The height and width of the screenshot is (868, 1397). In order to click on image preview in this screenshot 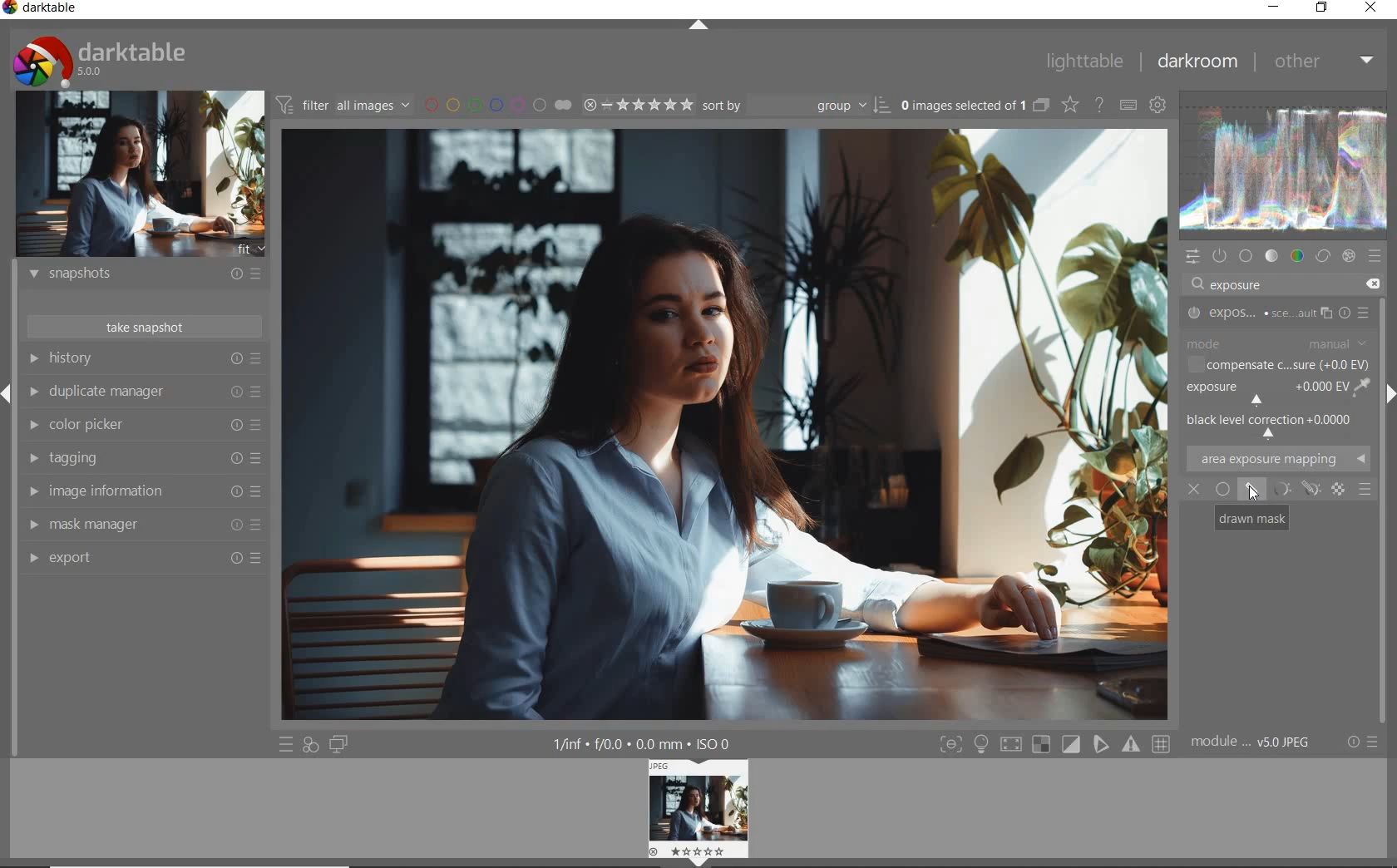, I will do `click(695, 812)`.